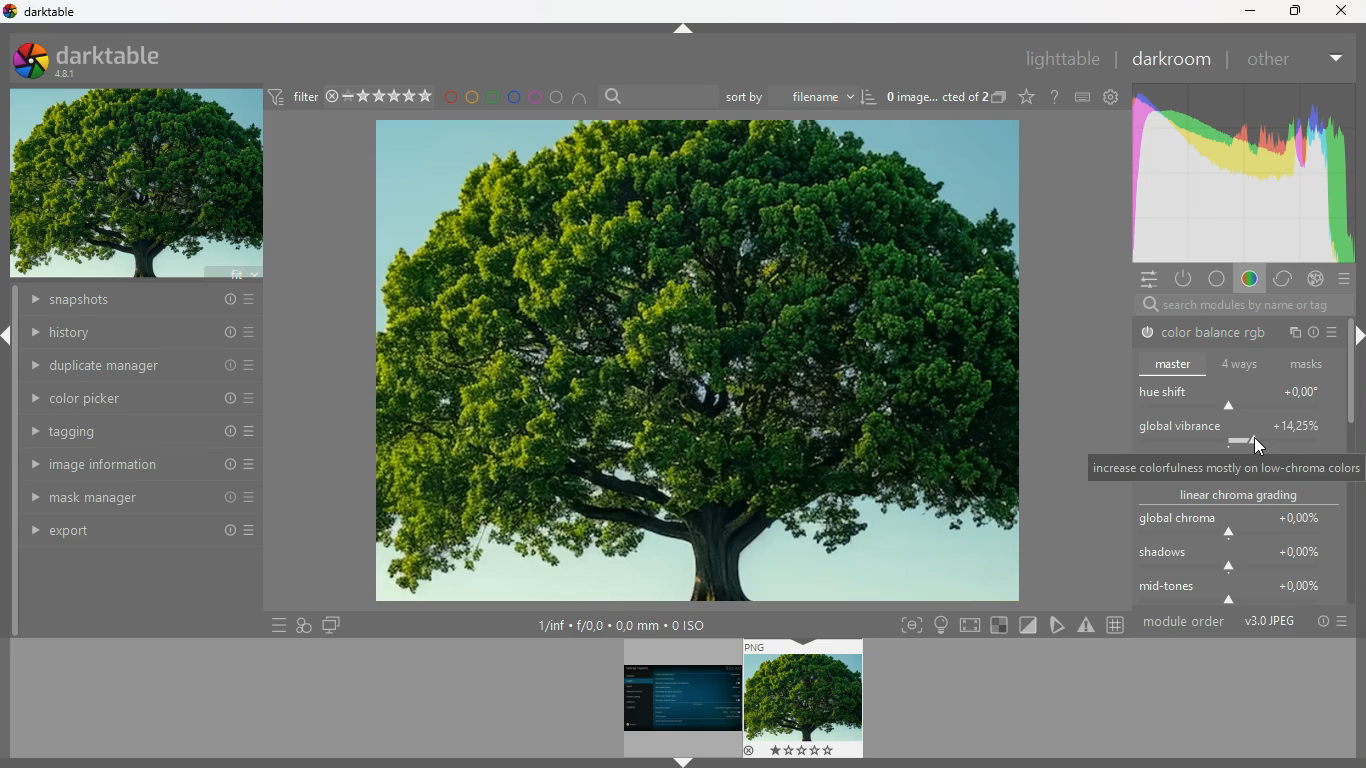 The height and width of the screenshot is (768, 1366). I want to click on arrow, so click(1357, 336).